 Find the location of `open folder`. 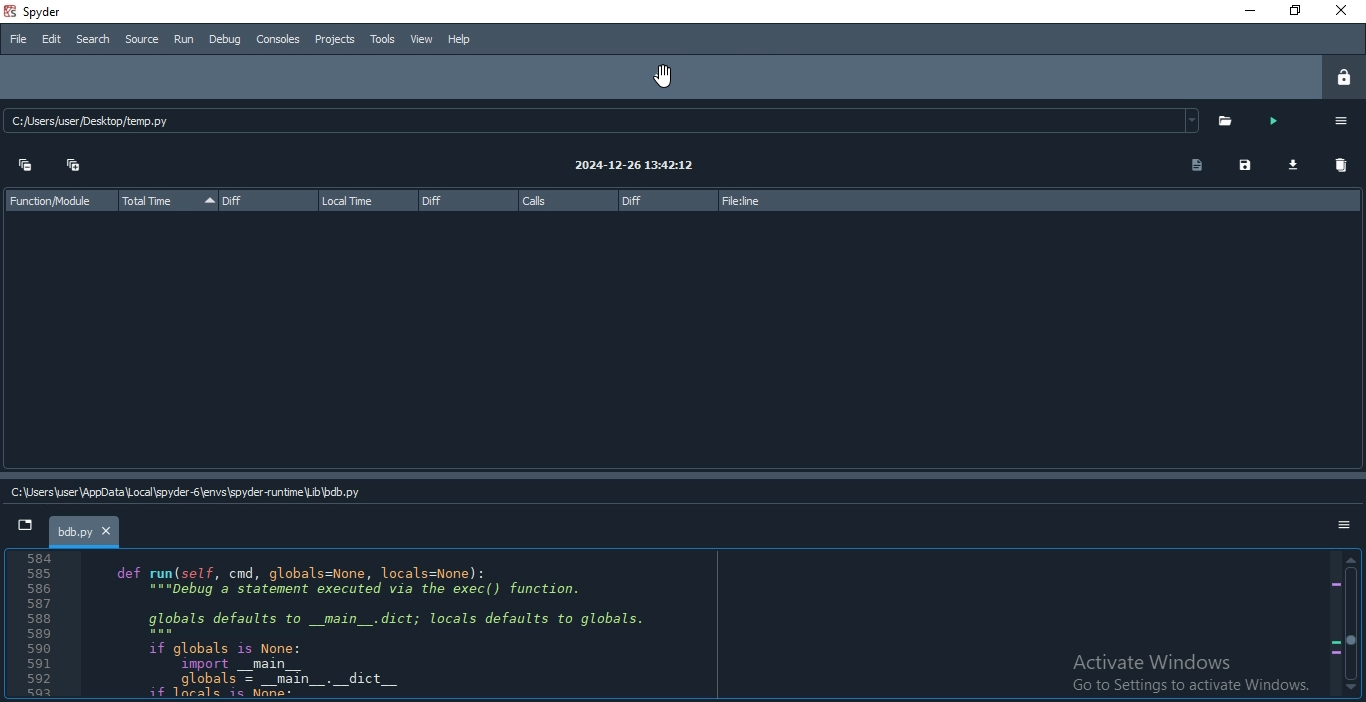

open folder is located at coordinates (1227, 121).